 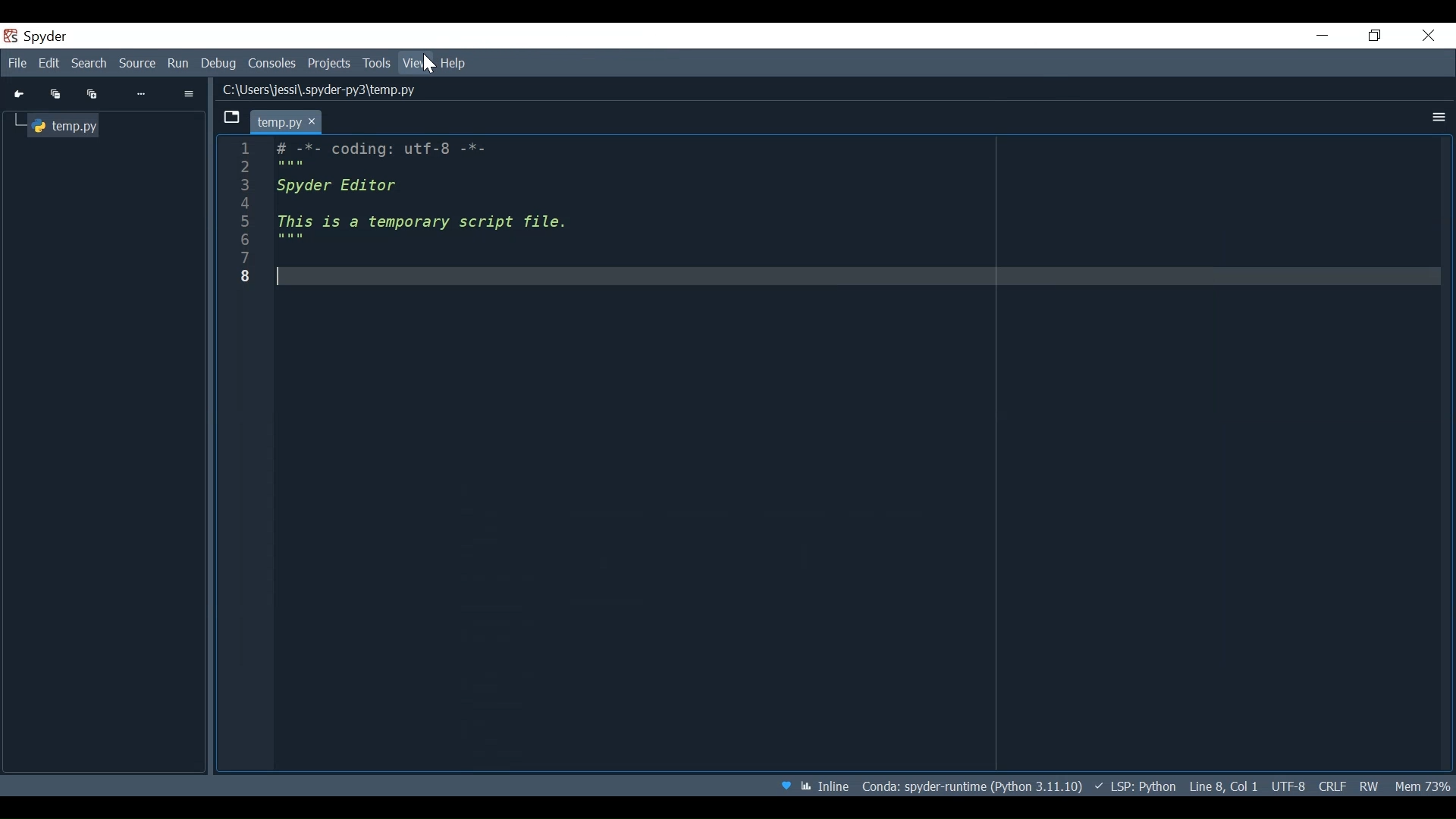 What do you see at coordinates (93, 93) in the screenshot?
I see `Expand all` at bounding box center [93, 93].